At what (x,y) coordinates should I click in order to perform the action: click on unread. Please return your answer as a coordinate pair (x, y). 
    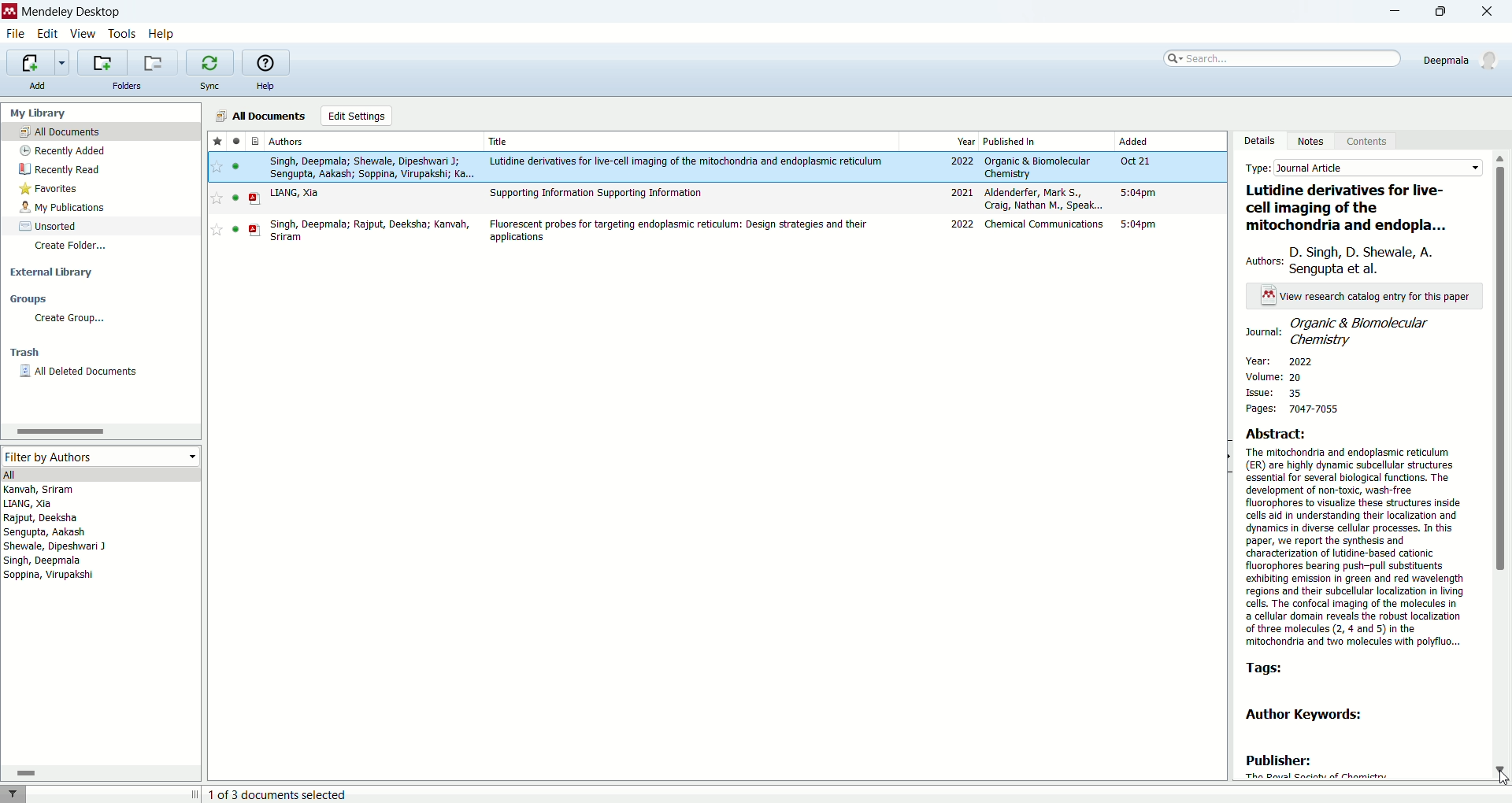
    Looking at the image, I should click on (235, 229).